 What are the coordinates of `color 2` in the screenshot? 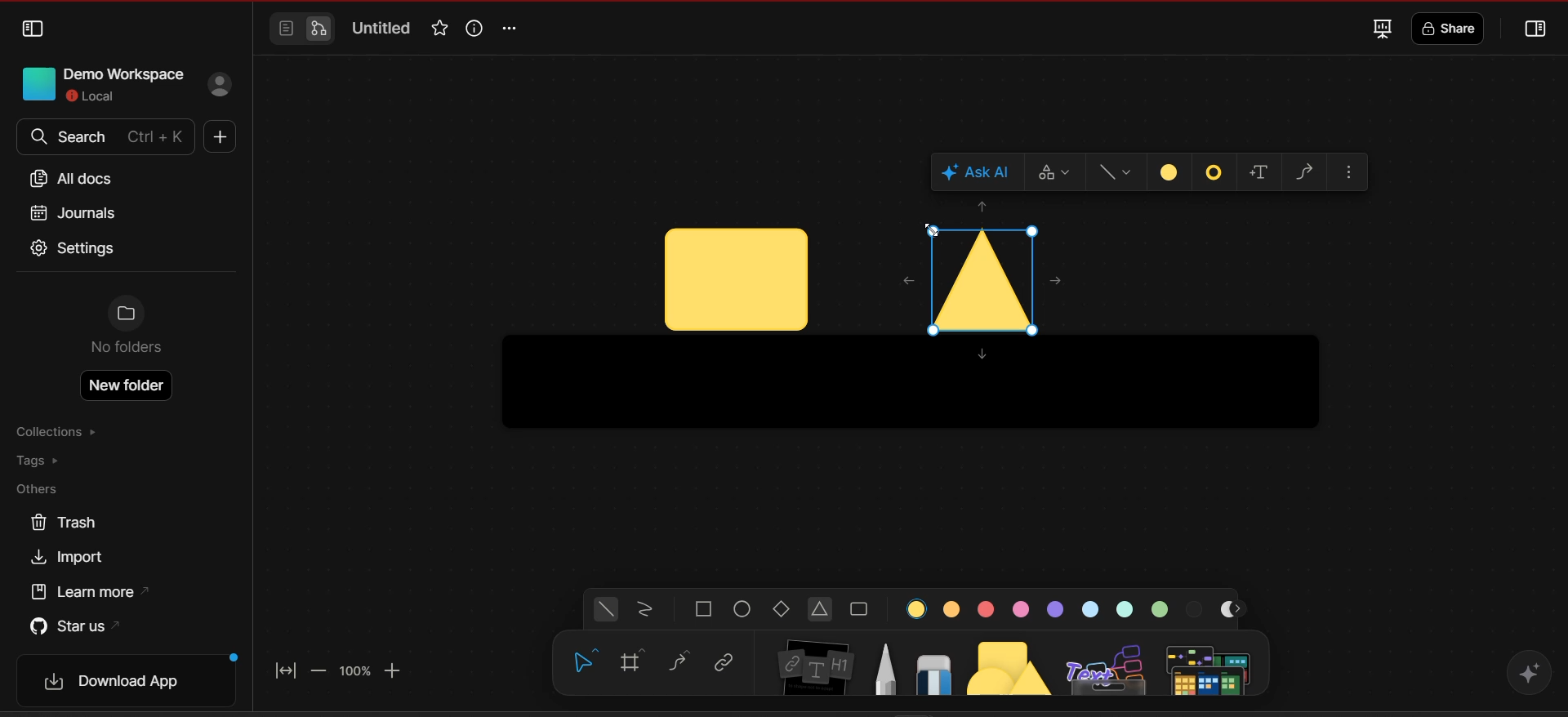 It's located at (952, 608).